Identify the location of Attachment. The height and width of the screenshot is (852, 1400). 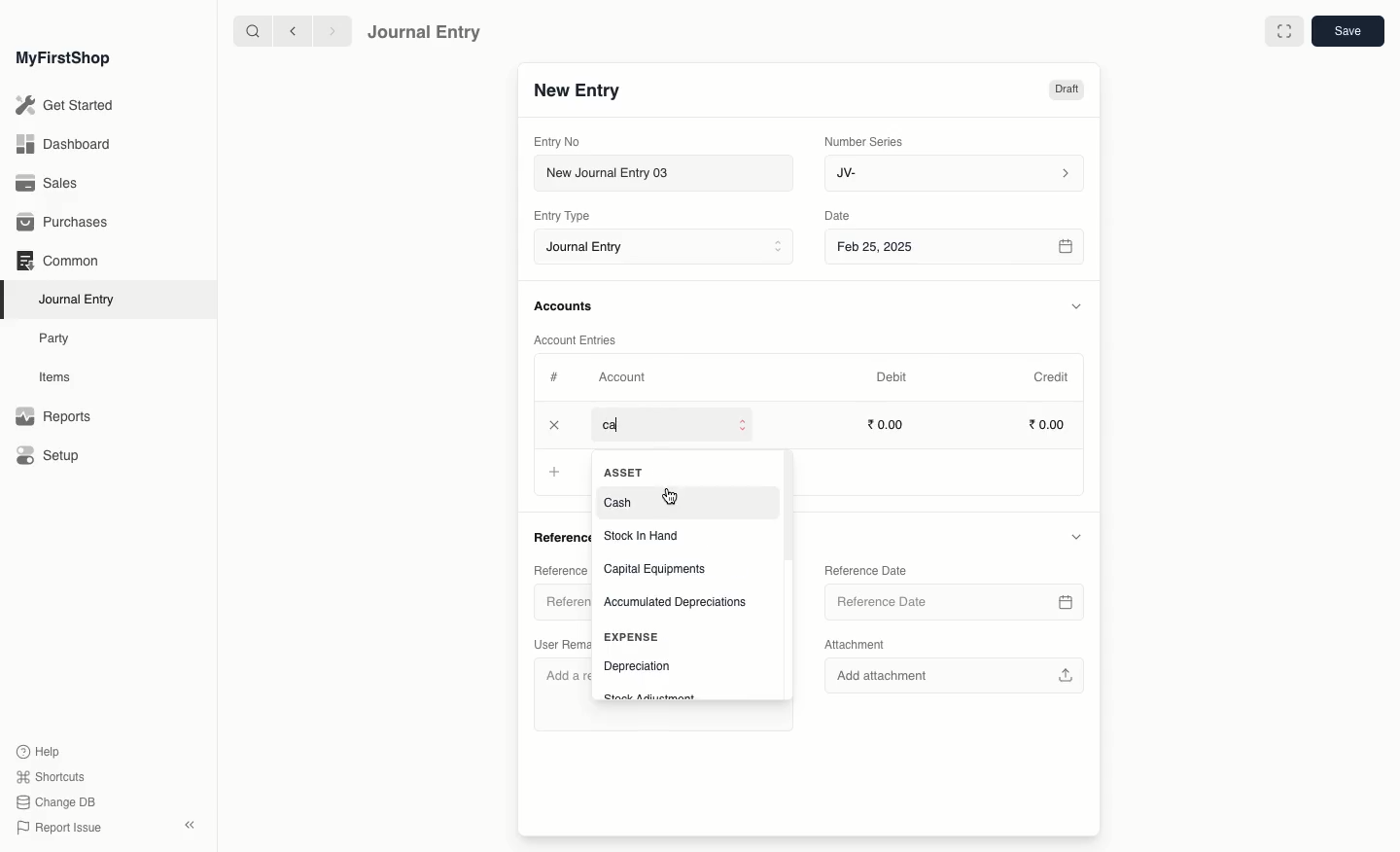
(855, 644).